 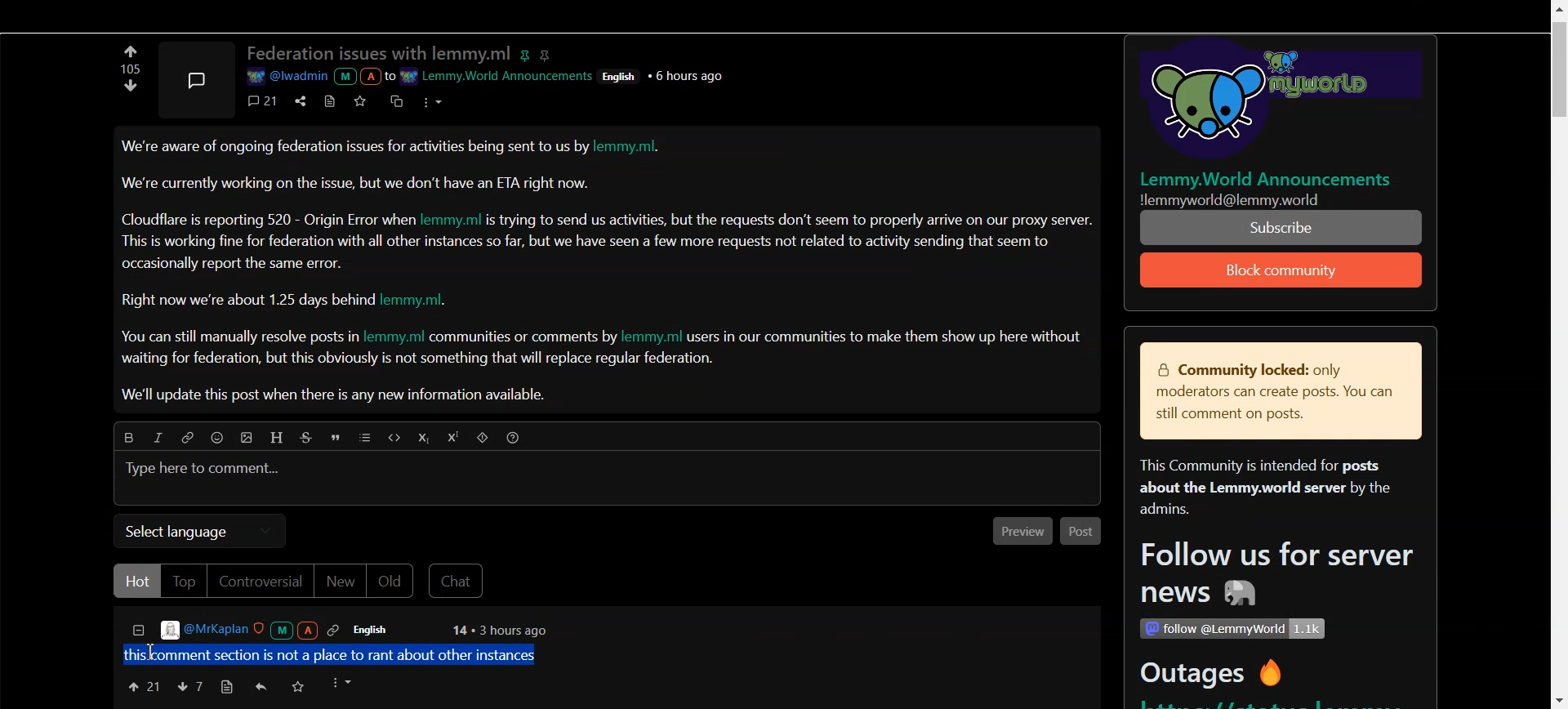 What do you see at coordinates (136, 581) in the screenshot?
I see `Hot` at bounding box center [136, 581].